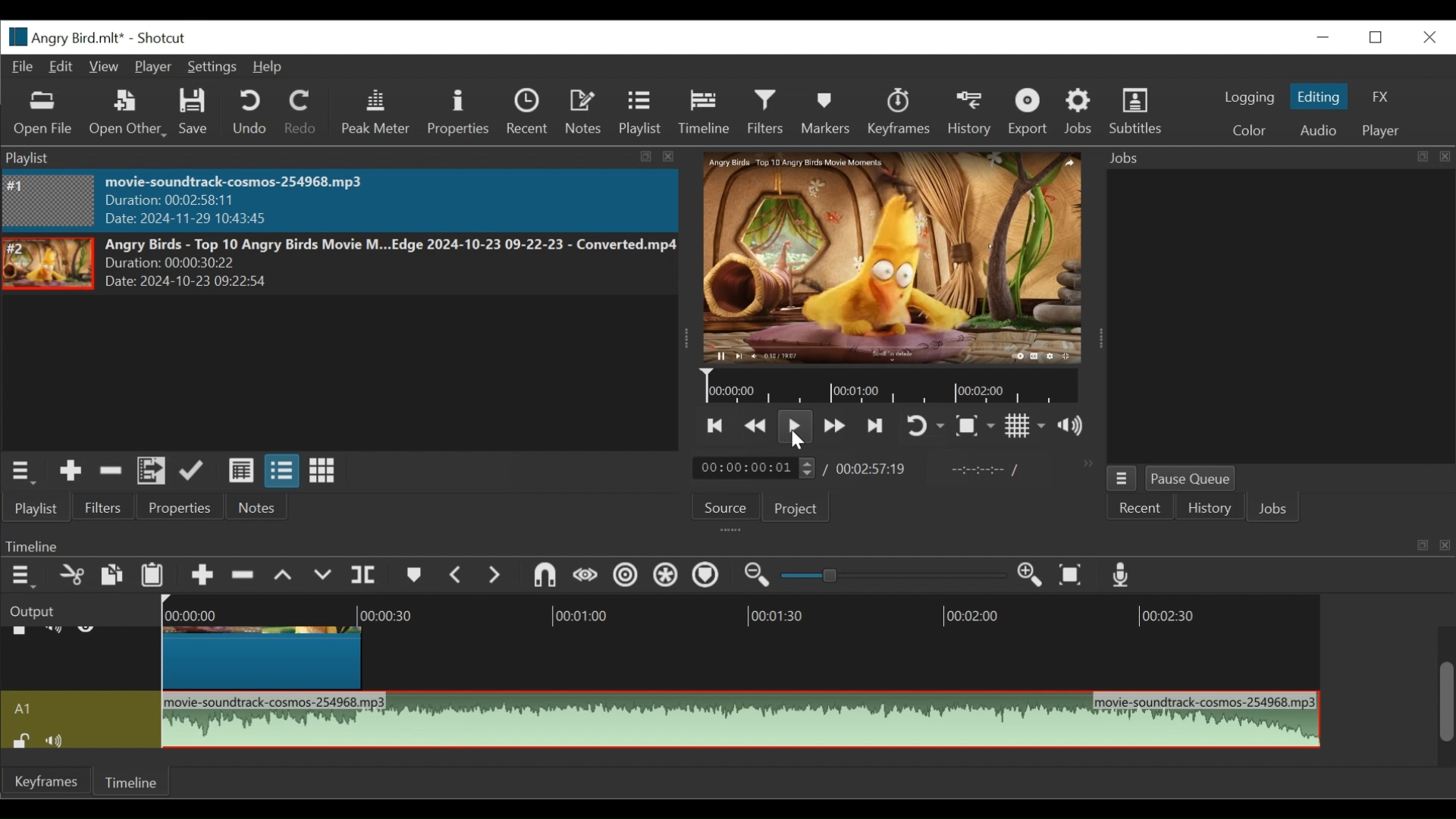 This screenshot has height=819, width=1456. Describe the element at coordinates (886, 256) in the screenshot. I see `Media Viewer` at that location.